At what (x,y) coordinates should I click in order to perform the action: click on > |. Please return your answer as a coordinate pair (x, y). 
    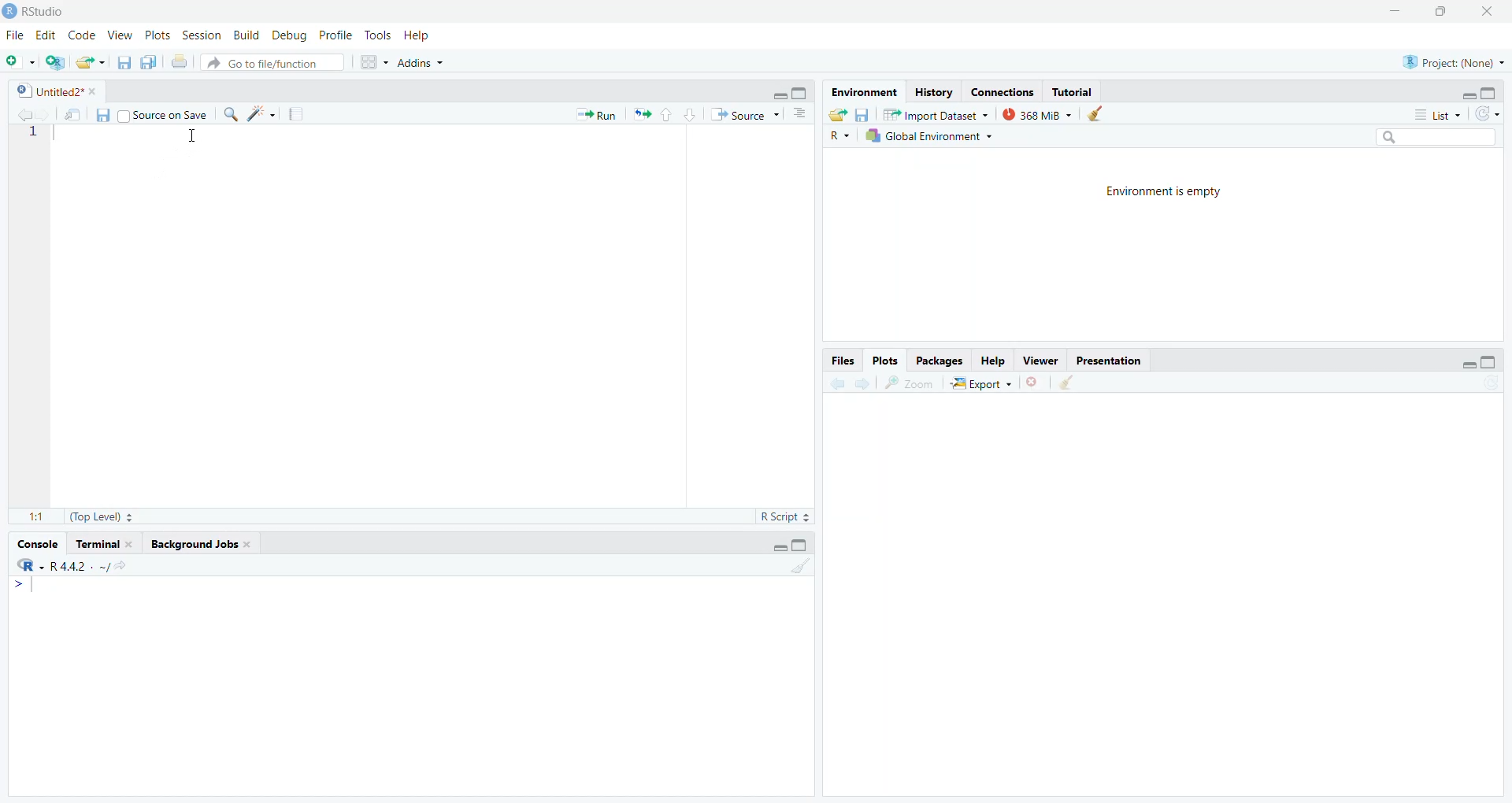
    Looking at the image, I should click on (28, 587).